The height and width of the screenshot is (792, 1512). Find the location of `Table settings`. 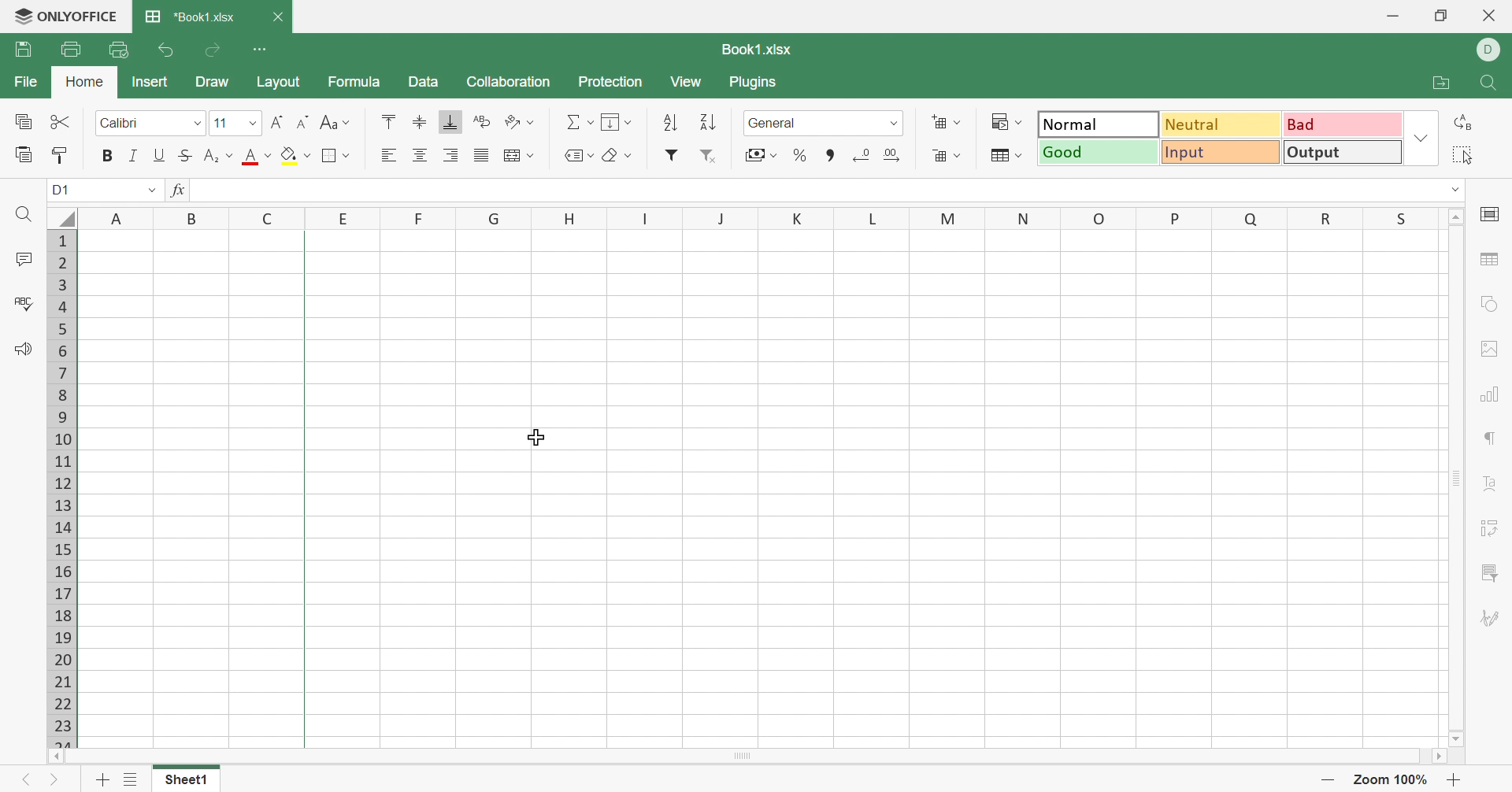

Table settings is located at coordinates (1492, 258).